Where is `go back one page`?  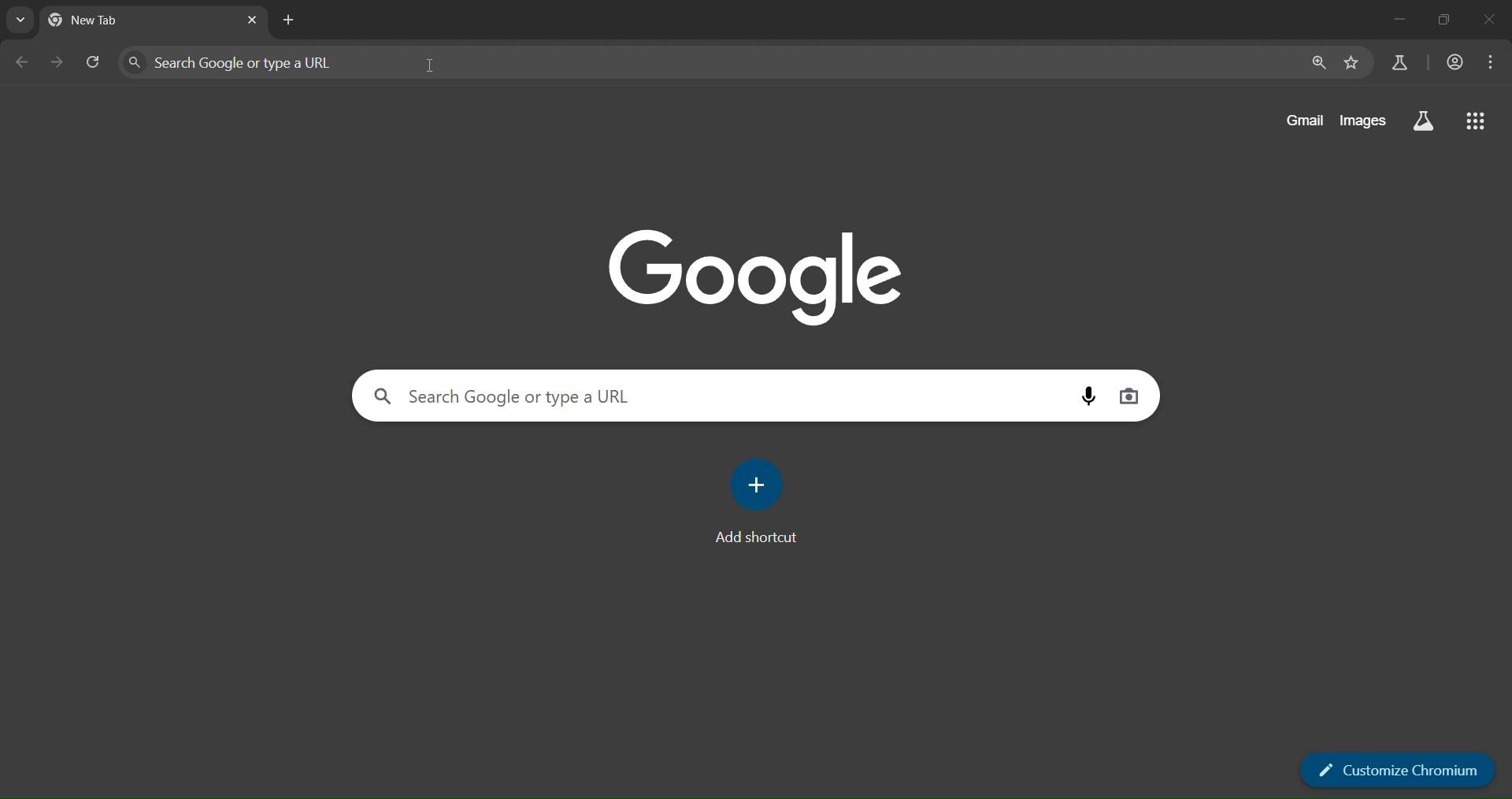
go back one page is located at coordinates (25, 62).